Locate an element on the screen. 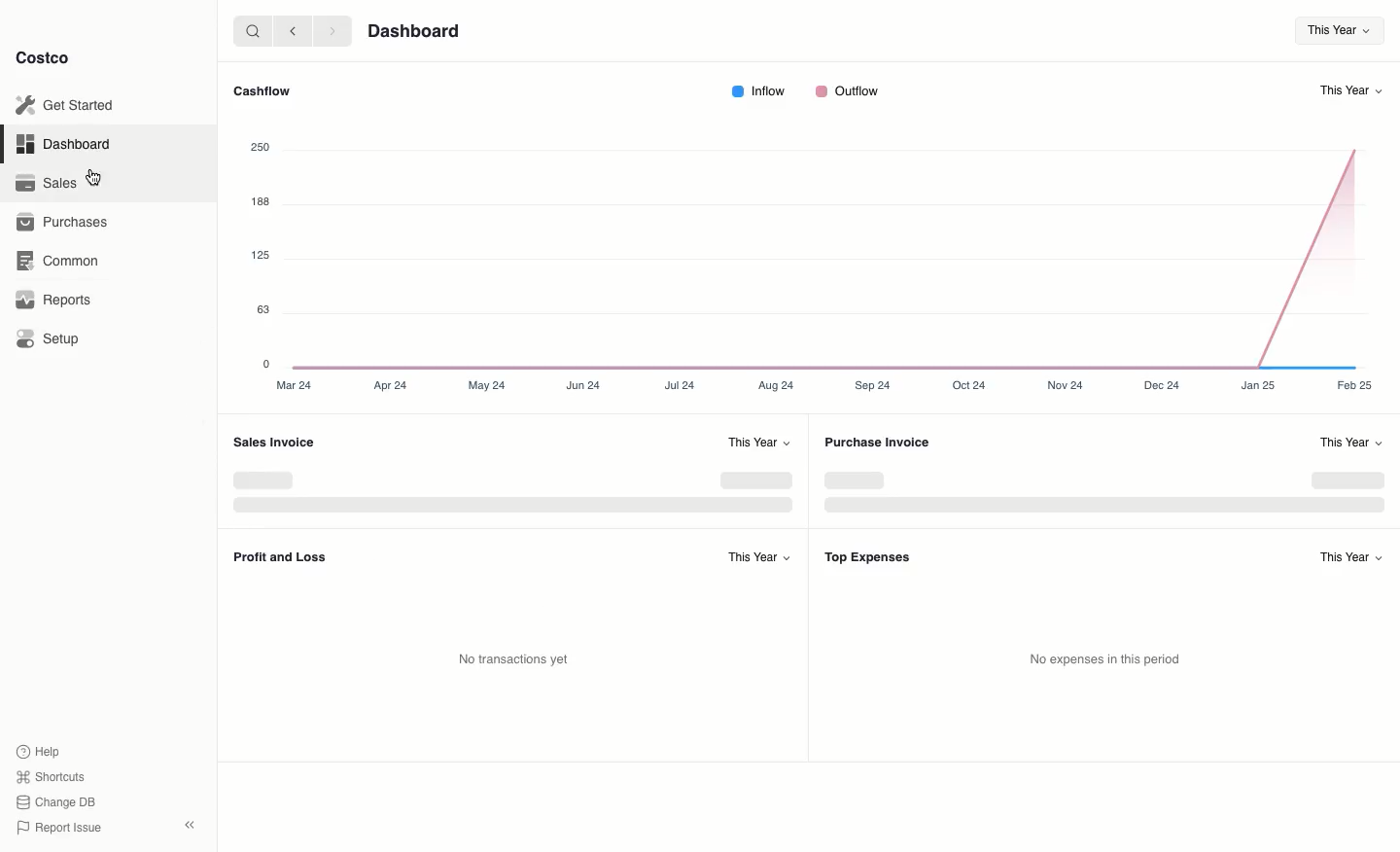 Image resolution: width=1400 pixels, height=852 pixels. Costco is located at coordinates (44, 58).